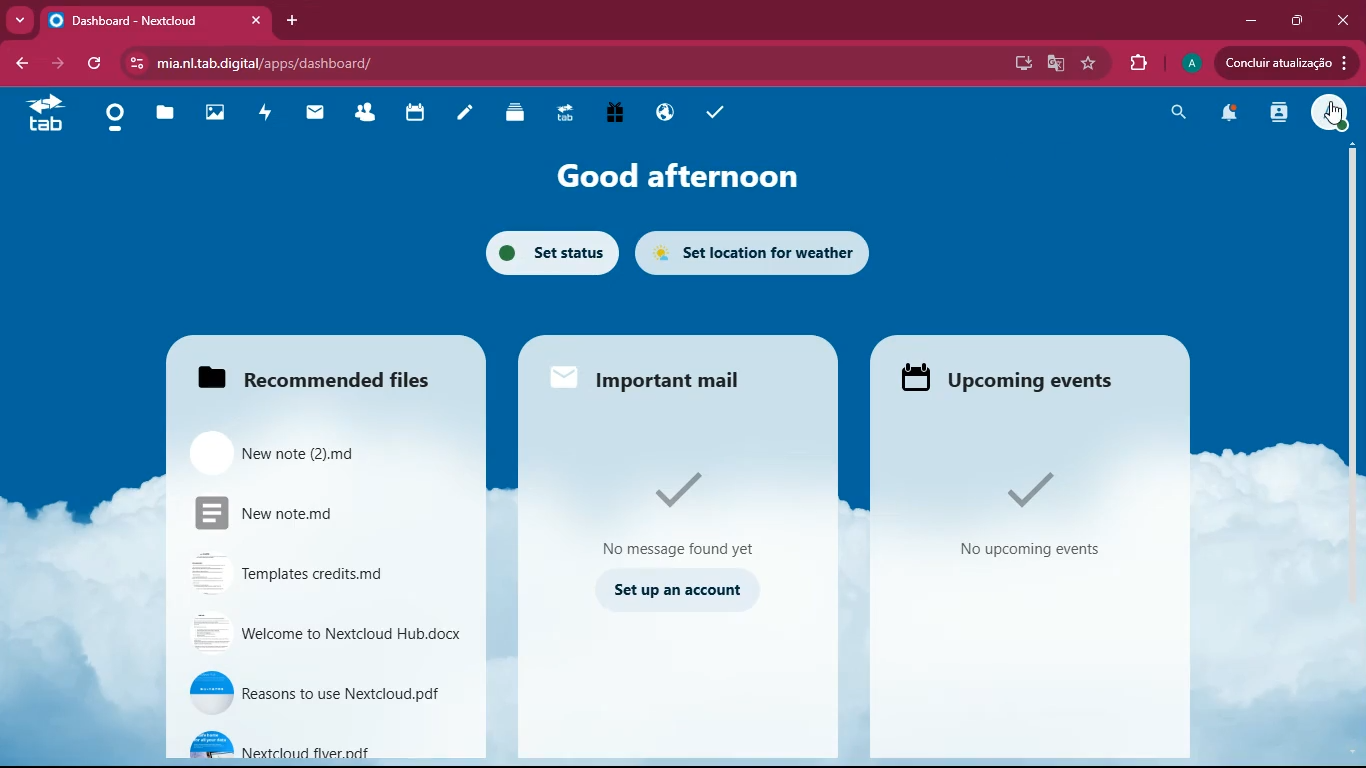  Describe the element at coordinates (1351, 334) in the screenshot. I see `scroll bar` at that location.